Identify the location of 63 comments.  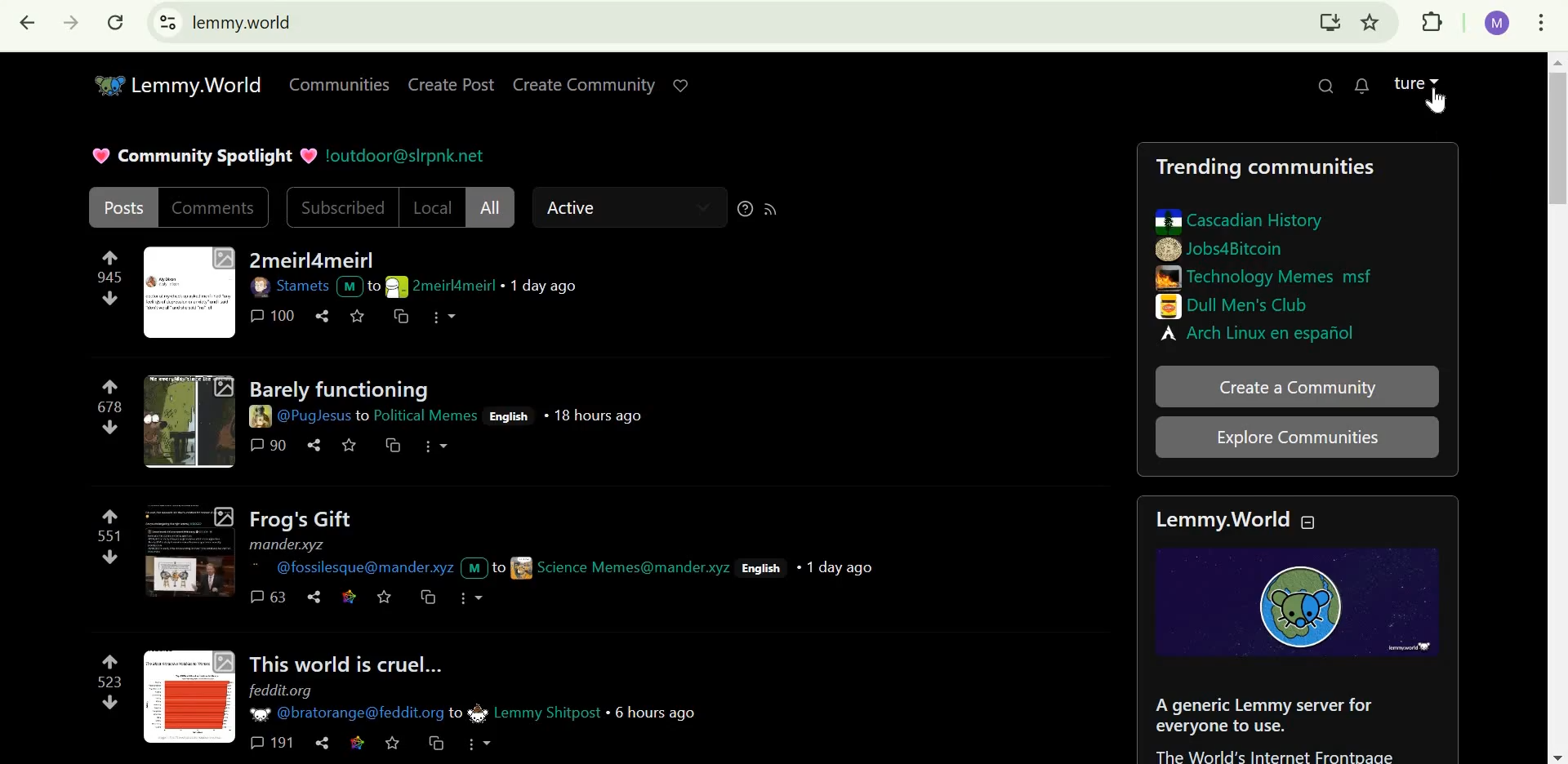
(269, 597).